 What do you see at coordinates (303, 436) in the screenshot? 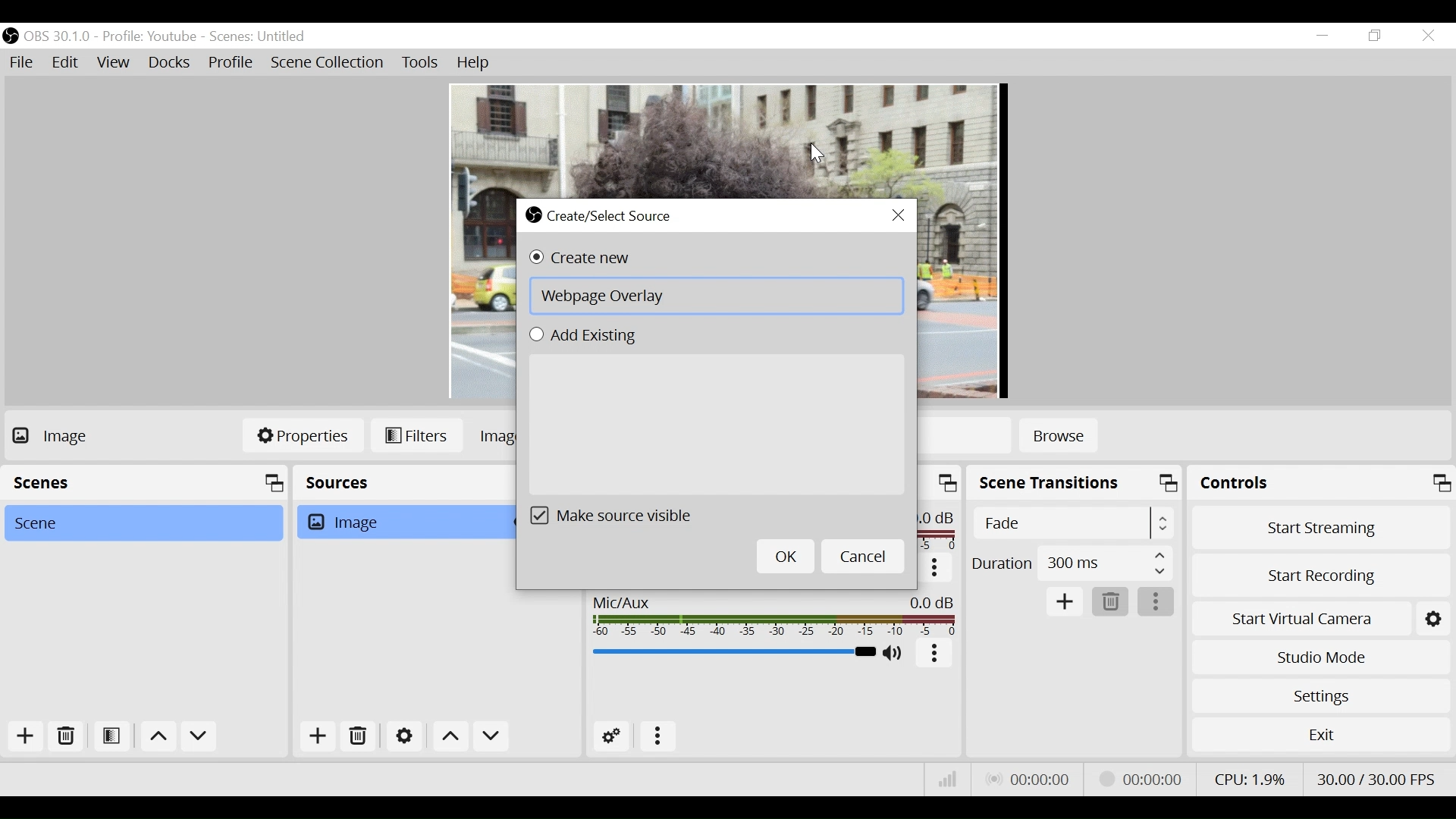
I see `Properties` at bounding box center [303, 436].